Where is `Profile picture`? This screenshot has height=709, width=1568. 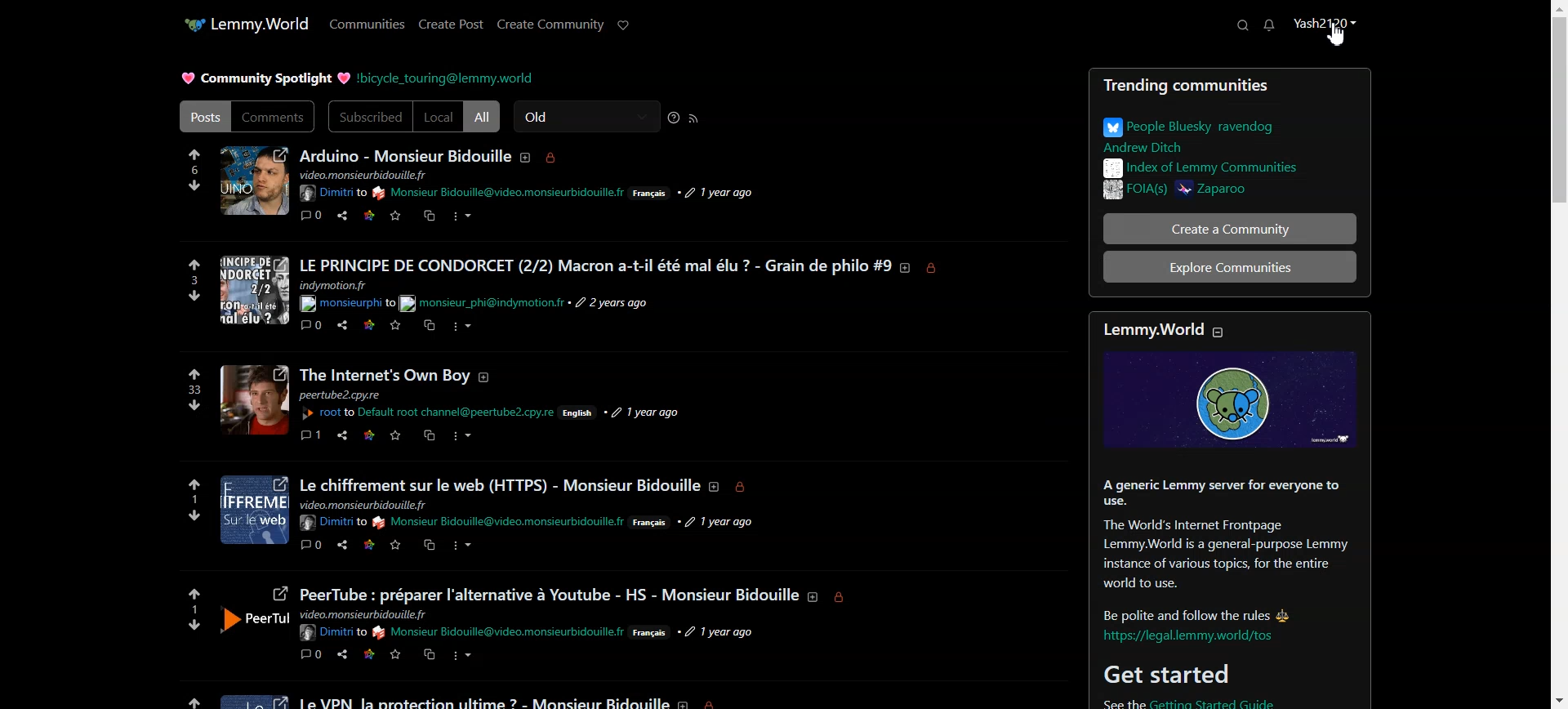 Profile picture is located at coordinates (385, 376).